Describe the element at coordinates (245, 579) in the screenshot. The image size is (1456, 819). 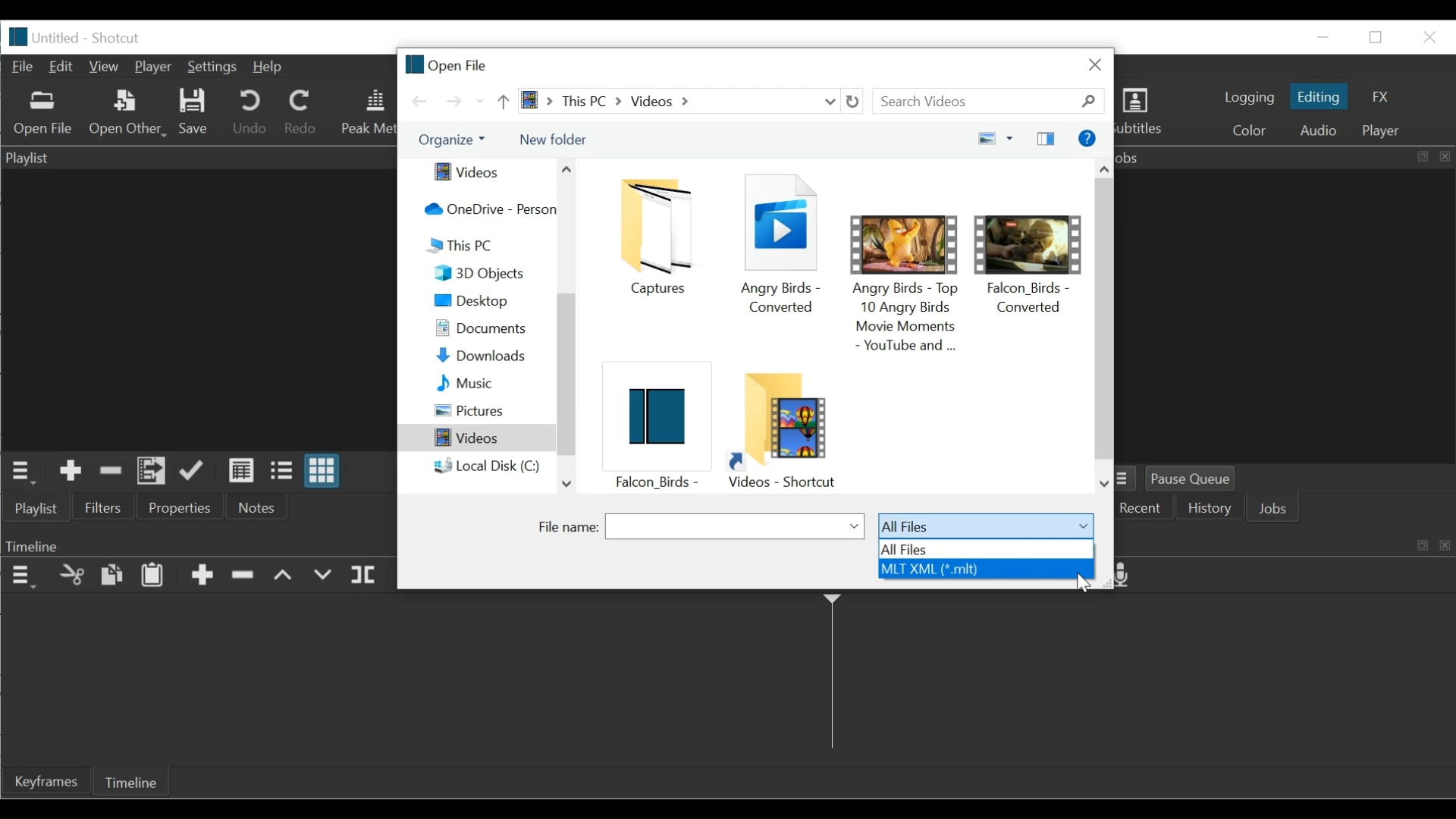
I see `Ripple Delete` at that location.